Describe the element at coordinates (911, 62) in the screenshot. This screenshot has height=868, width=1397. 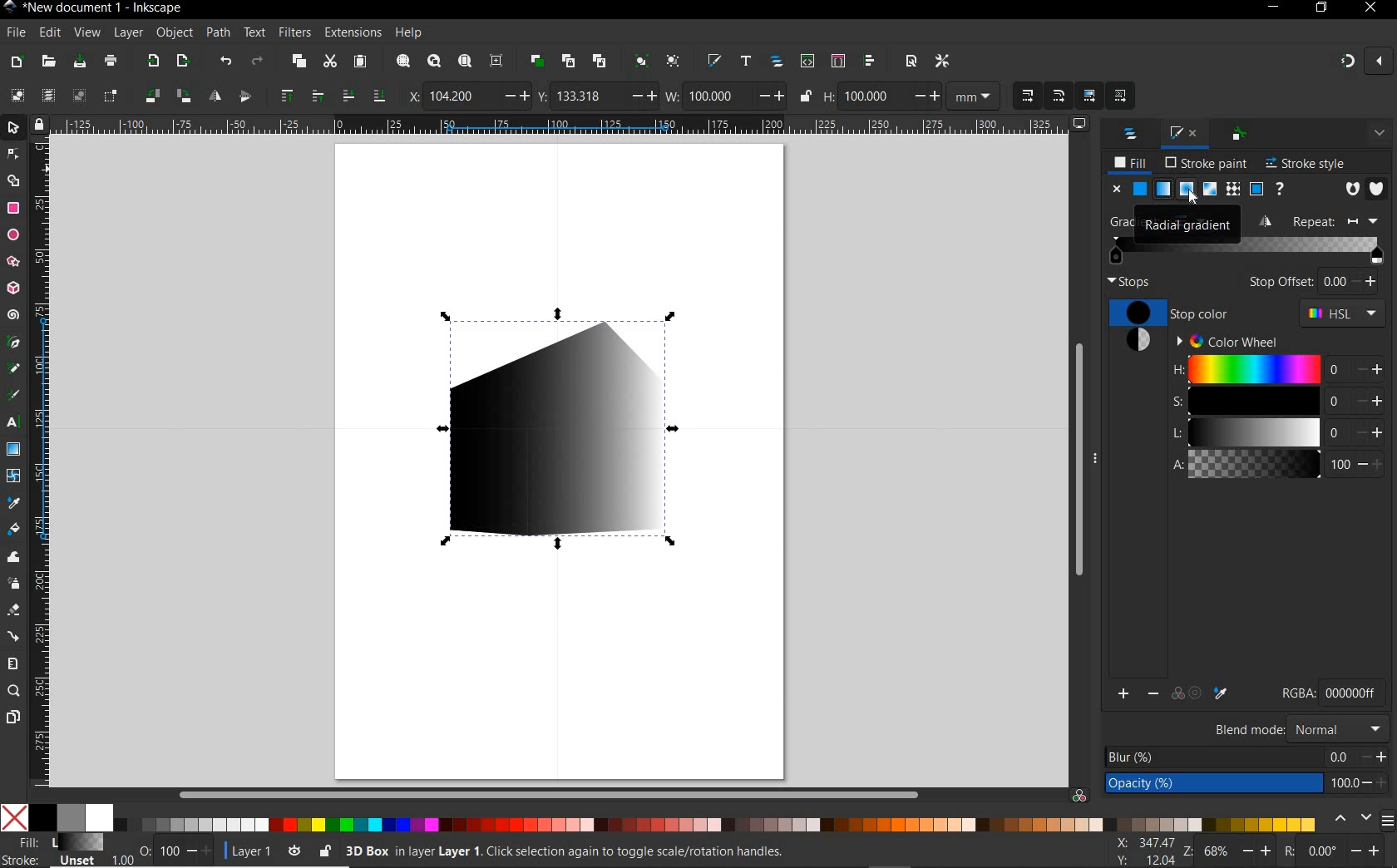
I see `OPEN DOCUMENT PROPERTIES` at that location.